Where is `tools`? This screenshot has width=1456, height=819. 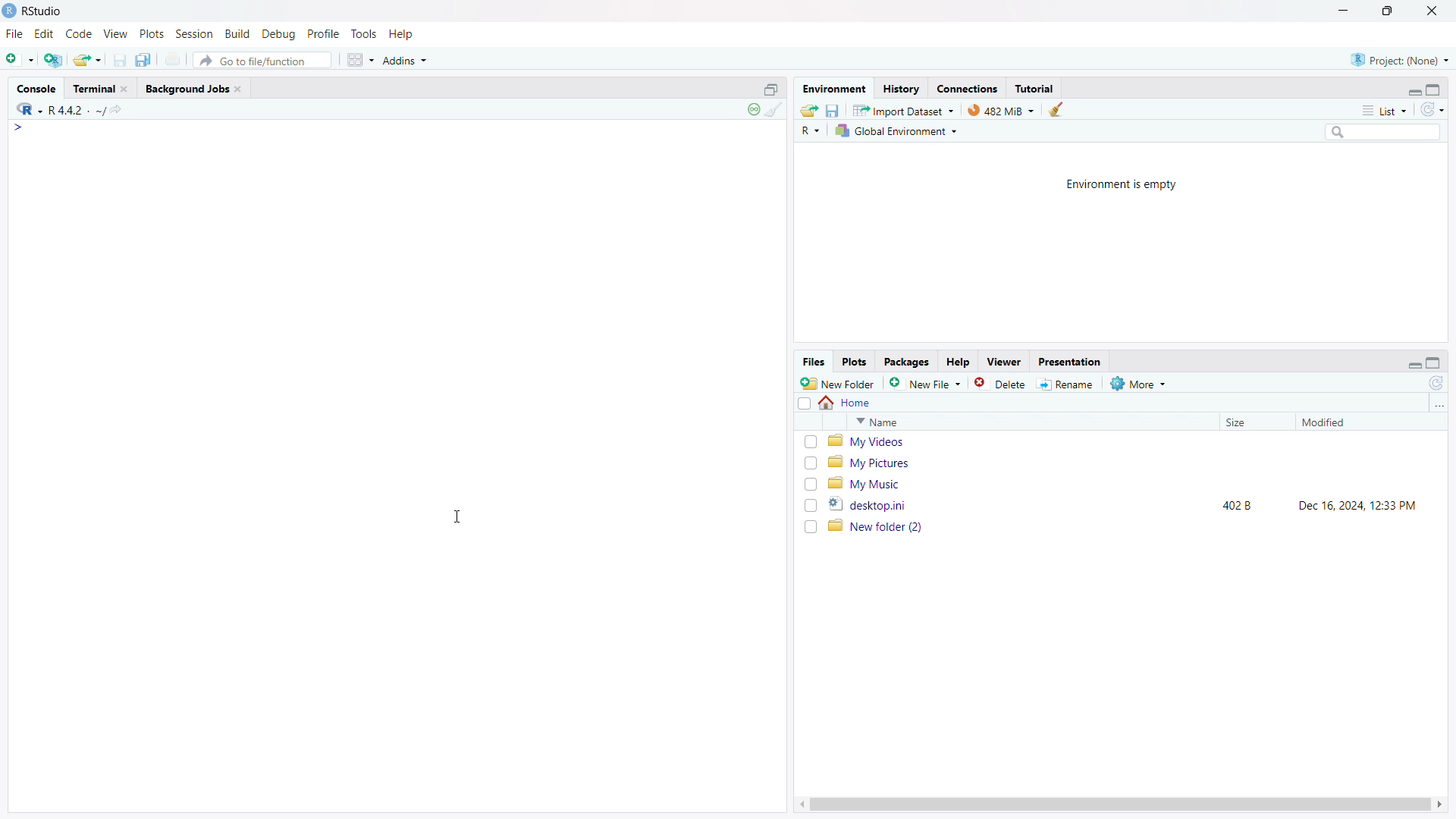
tools is located at coordinates (363, 34).